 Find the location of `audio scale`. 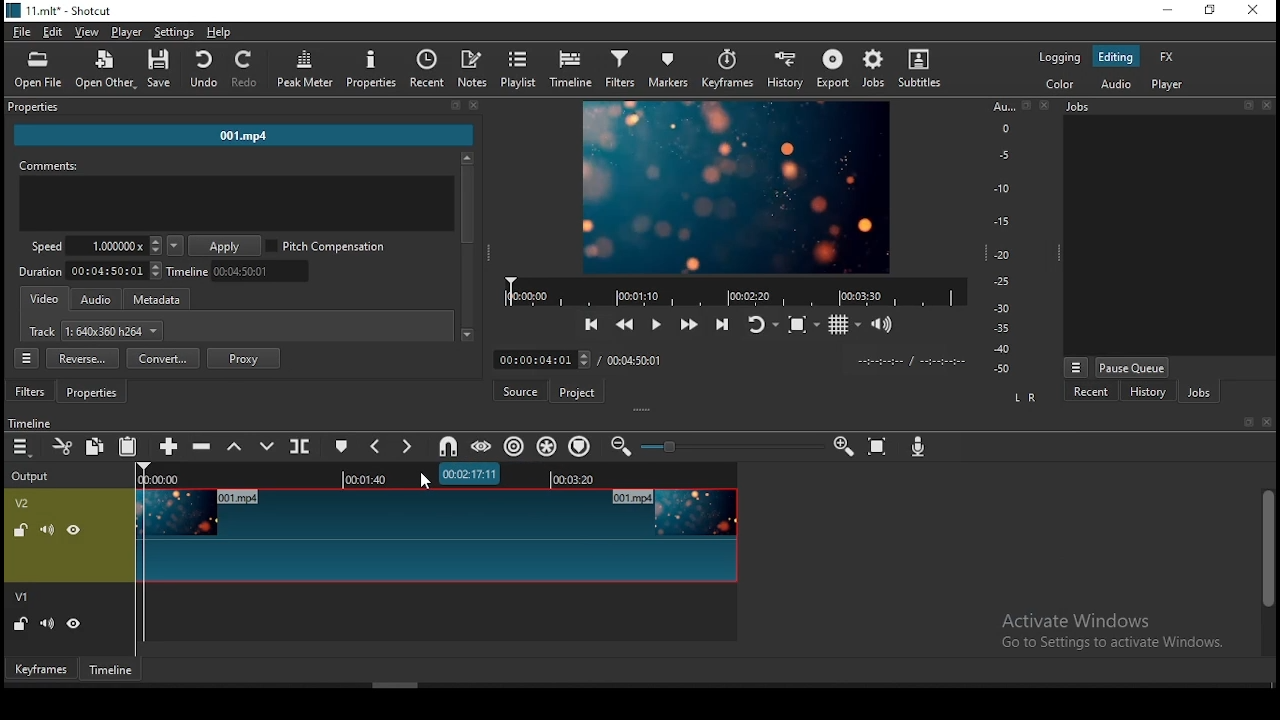

audio scale is located at coordinates (1017, 239).